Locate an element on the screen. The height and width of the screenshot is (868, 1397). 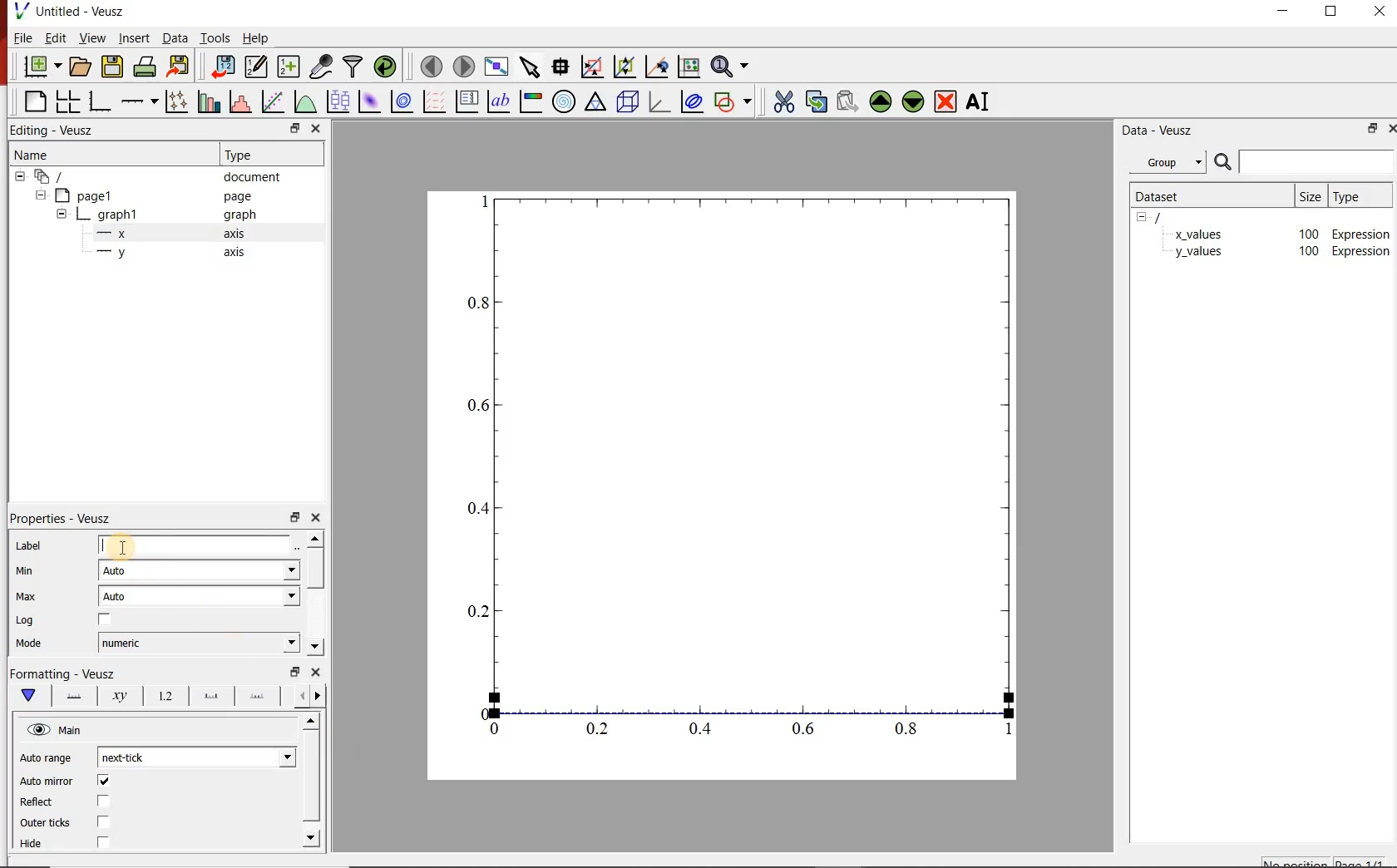
close is located at coordinates (316, 516).